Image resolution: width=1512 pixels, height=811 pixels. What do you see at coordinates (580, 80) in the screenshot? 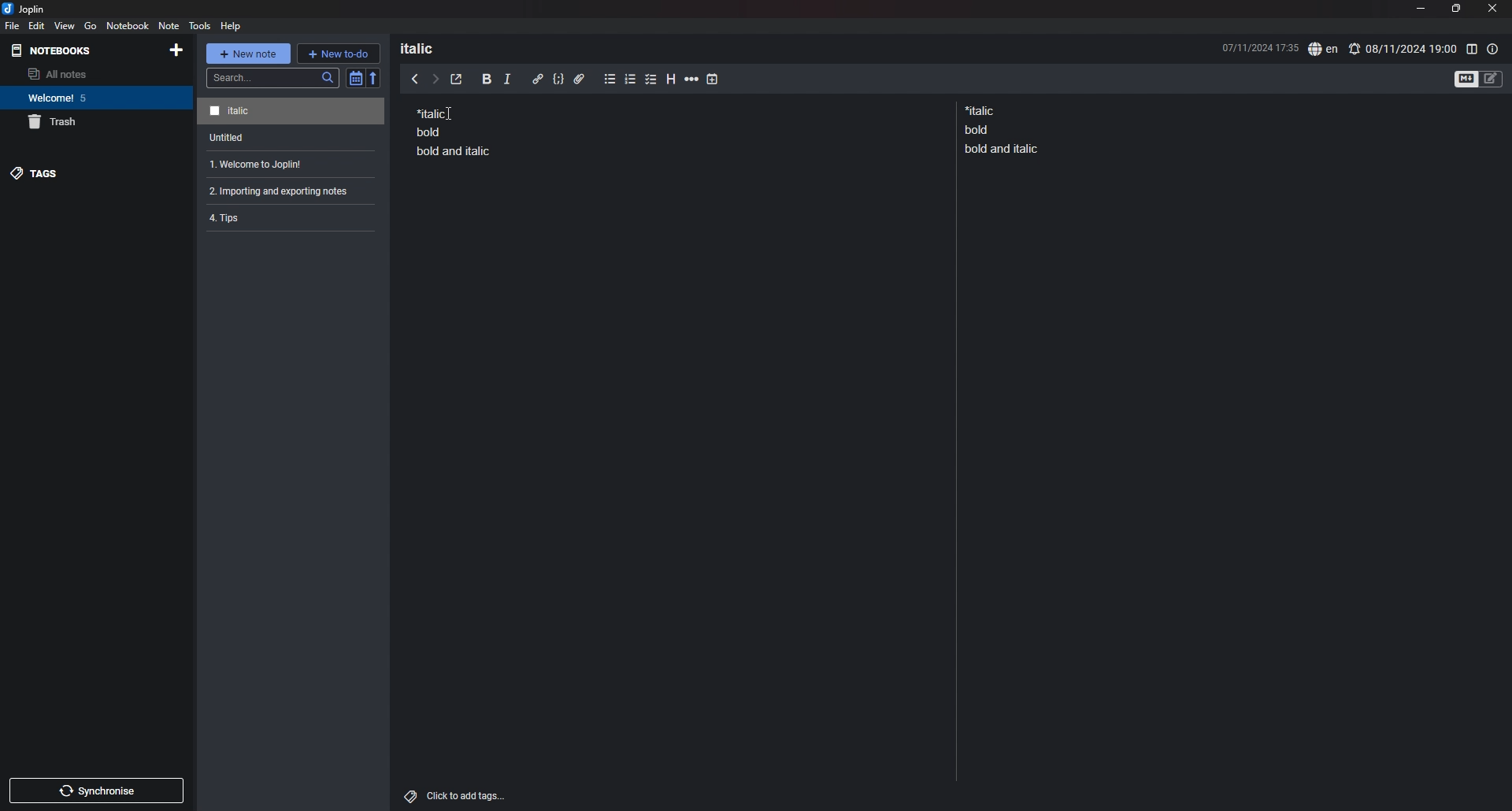
I see `attachment` at bounding box center [580, 80].